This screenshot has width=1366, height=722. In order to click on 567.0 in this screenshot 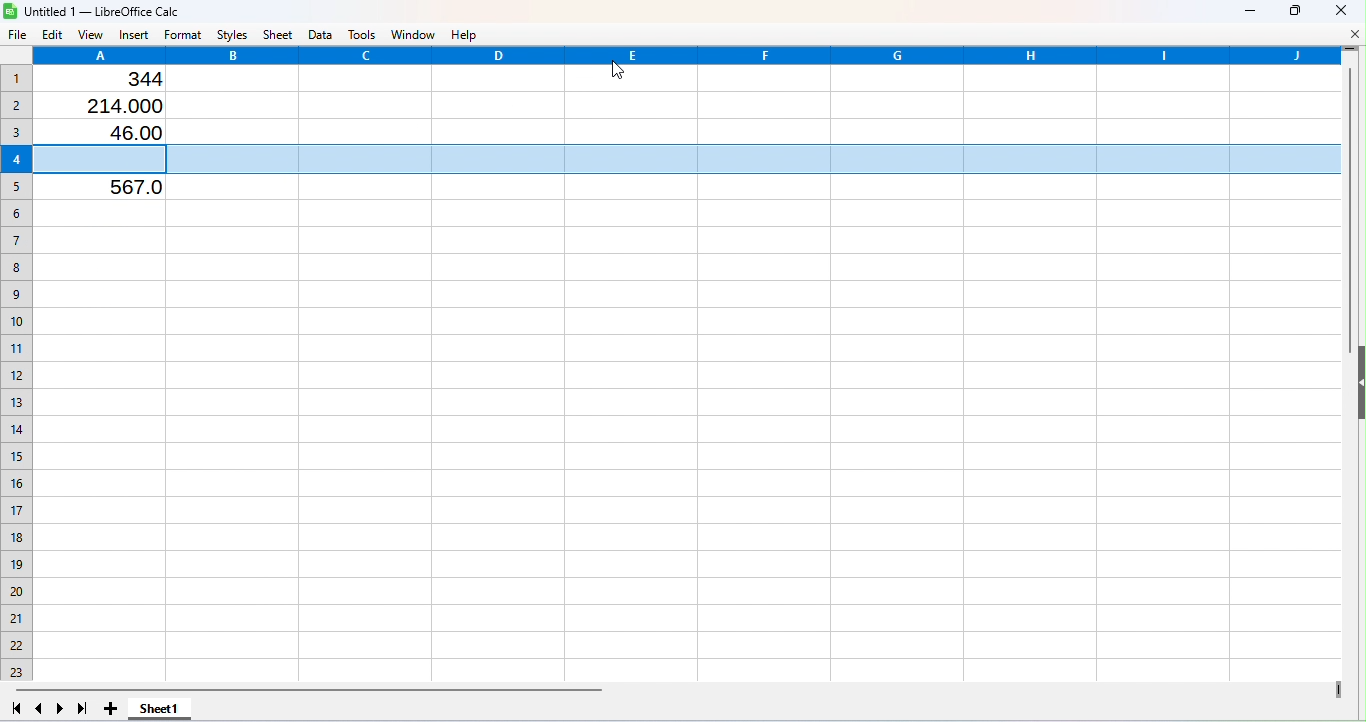, I will do `click(117, 189)`.